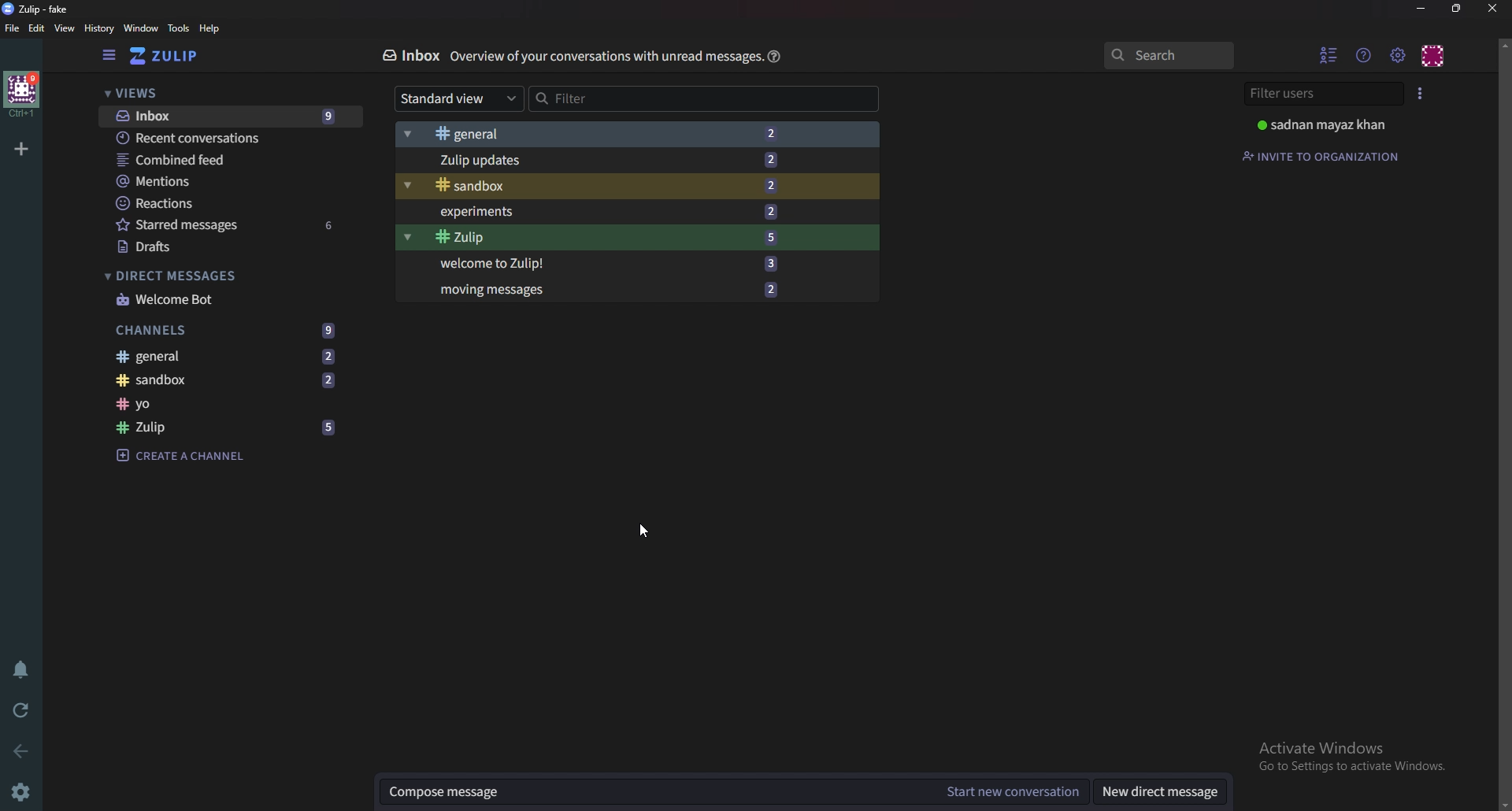 The height and width of the screenshot is (811, 1512). Describe the element at coordinates (212, 205) in the screenshot. I see `Reactions` at that location.